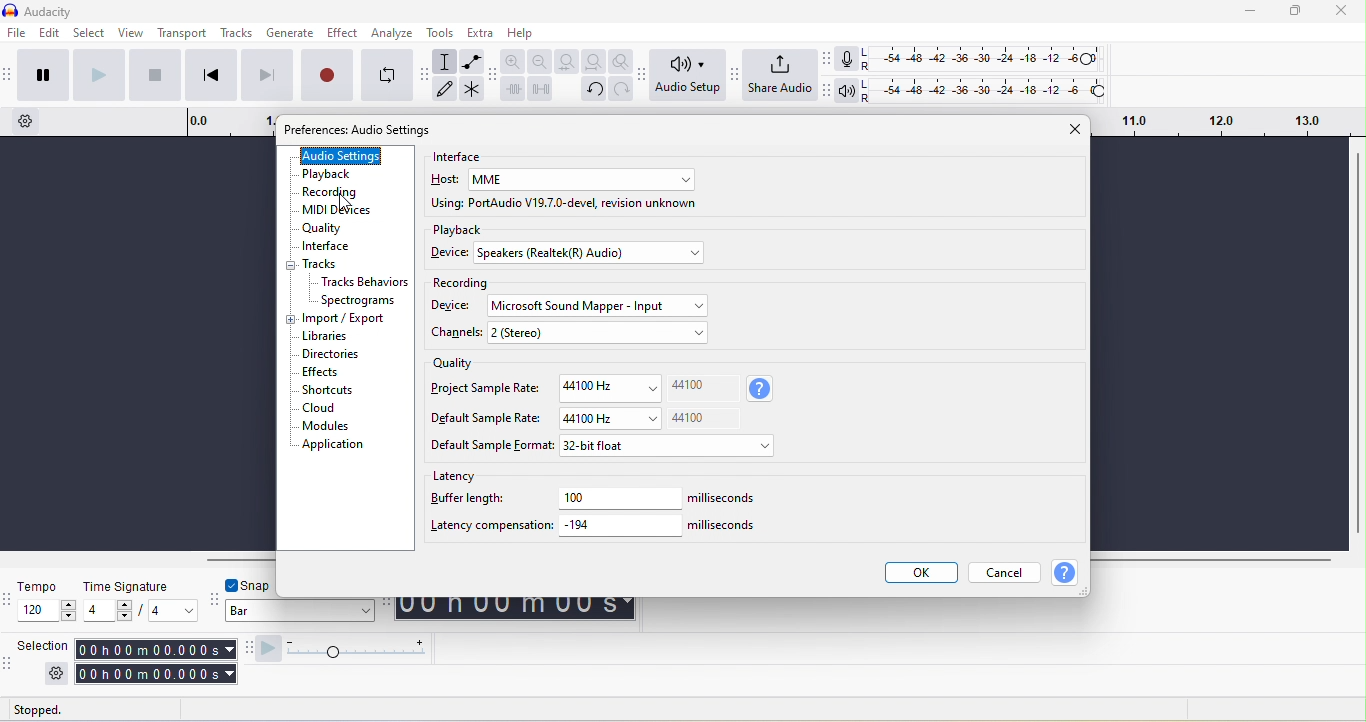 The height and width of the screenshot is (722, 1366). Describe the element at coordinates (736, 77) in the screenshot. I see `audacity share audio setup` at that location.